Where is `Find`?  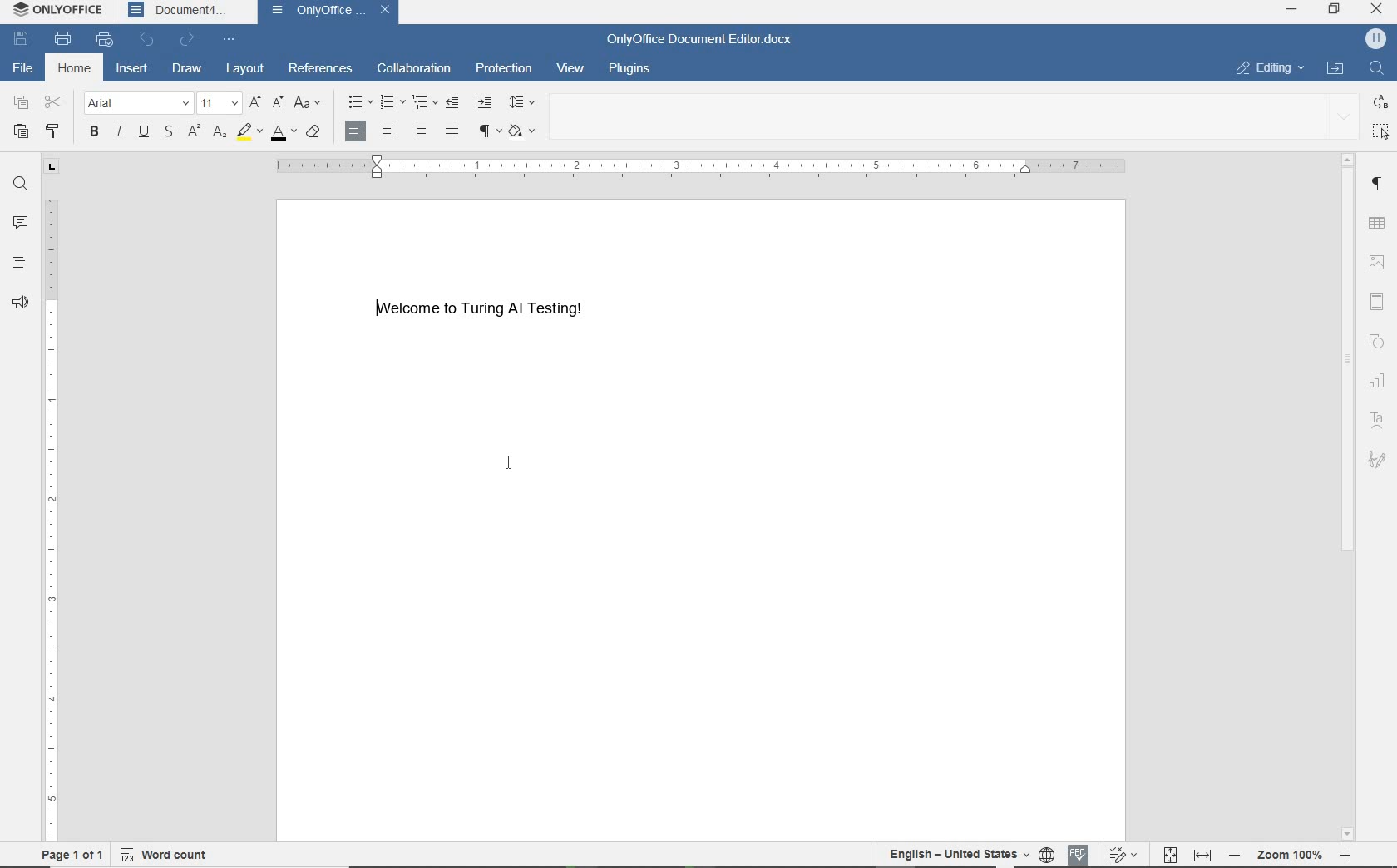 Find is located at coordinates (1376, 70).